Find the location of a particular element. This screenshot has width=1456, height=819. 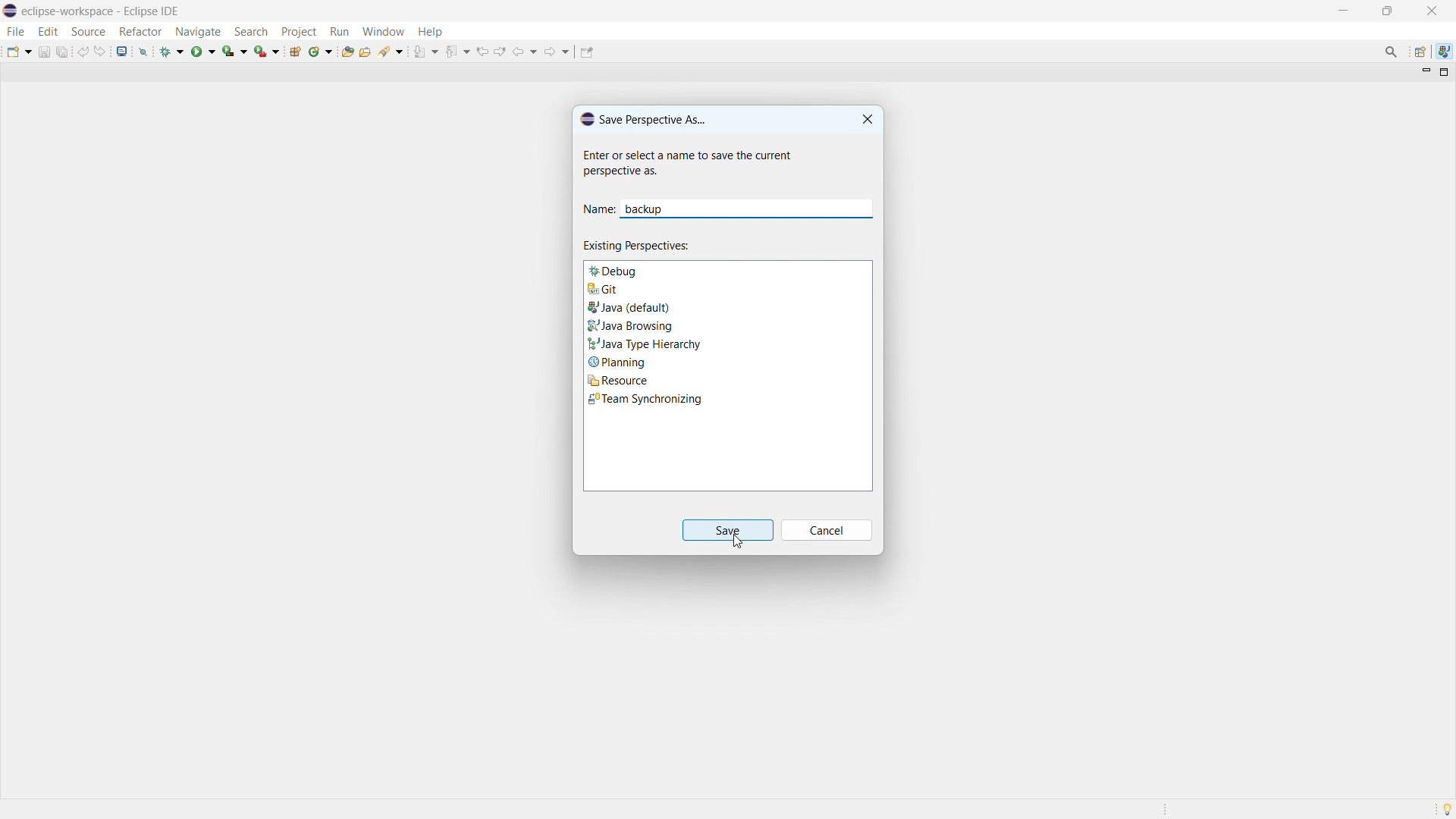

pin editor is located at coordinates (587, 52).